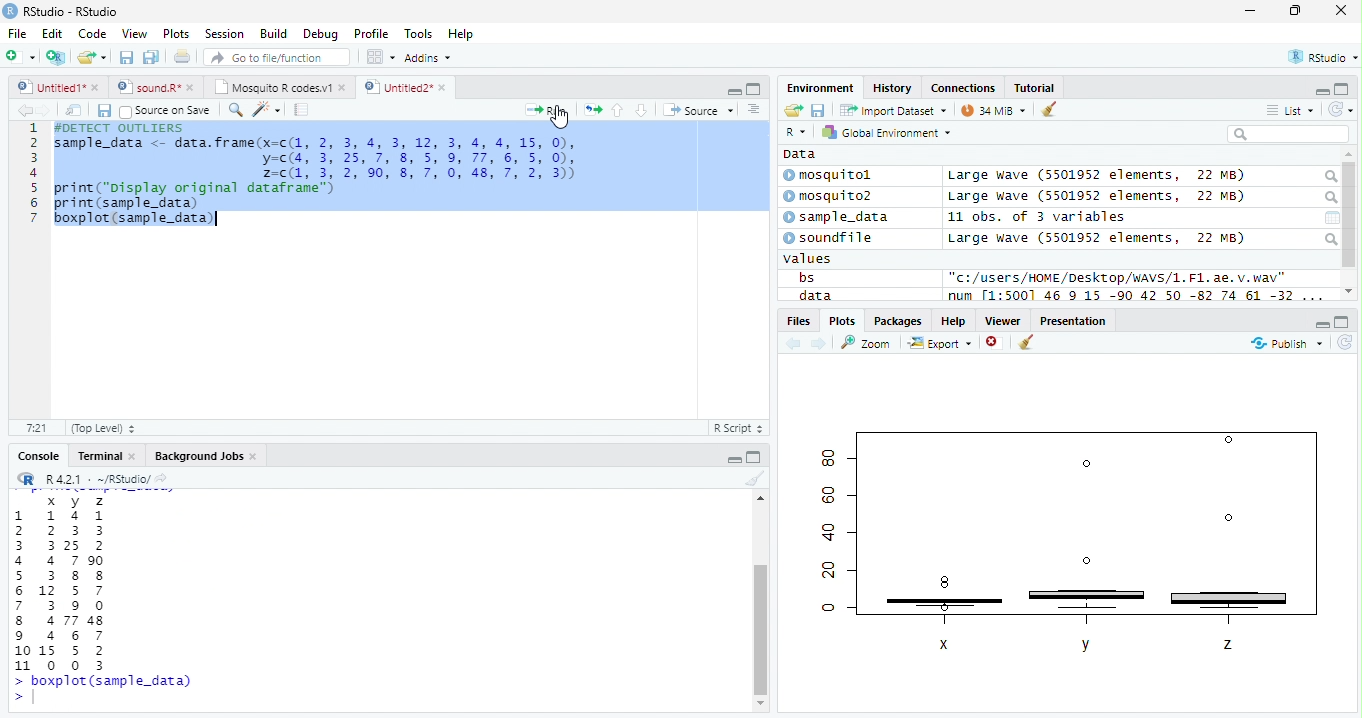 Image resolution: width=1362 pixels, height=718 pixels. What do you see at coordinates (1330, 239) in the screenshot?
I see `search` at bounding box center [1330, 239].